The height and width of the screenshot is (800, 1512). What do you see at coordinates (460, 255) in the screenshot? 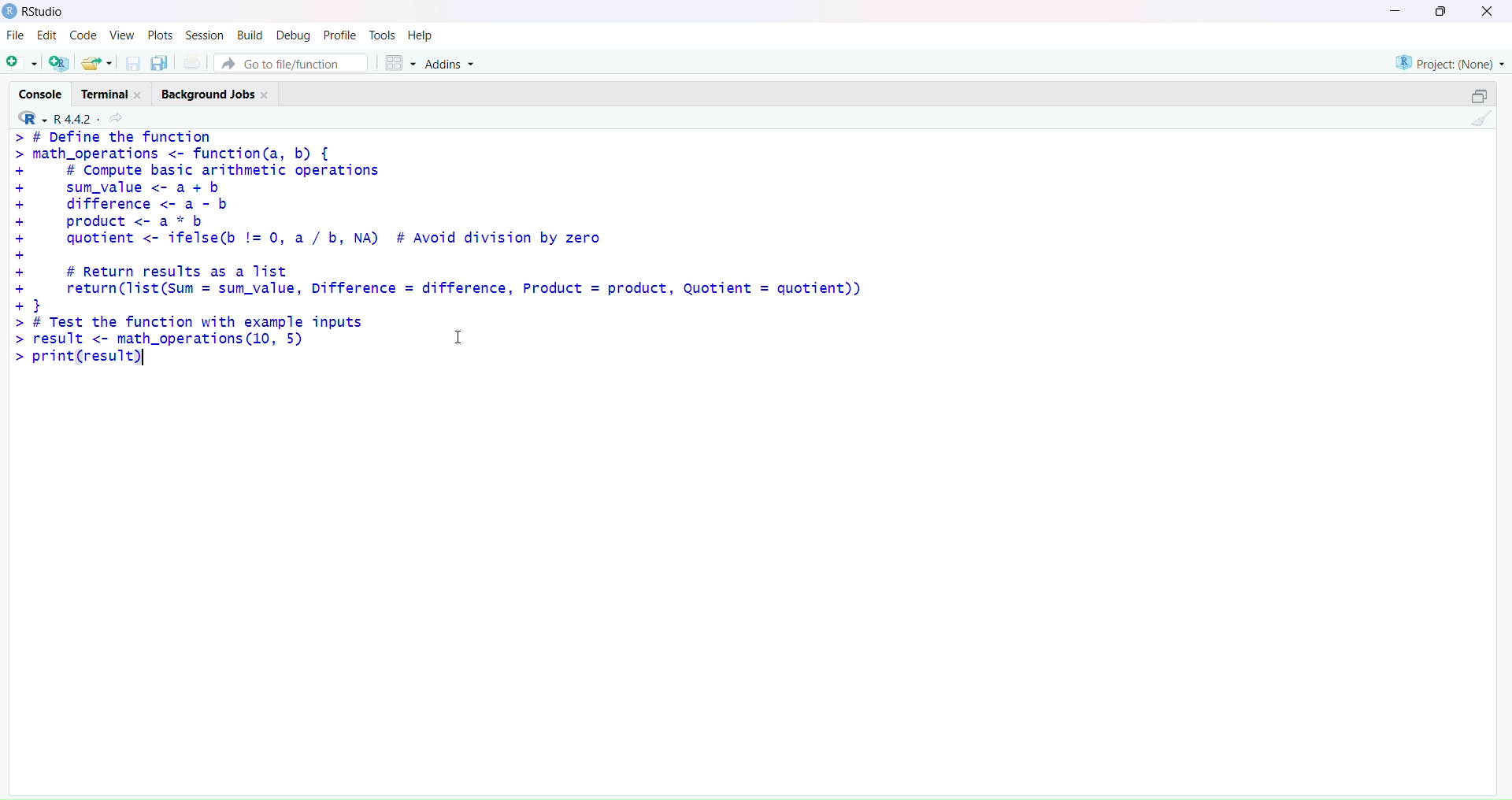
I see `> # DeTine the Tunction

> math_operations <- function(a, b) {

+ # Compute basic arithmetic operations

+ sum_value <- a + b

+ difference <- a - b

+ product <- a * b

+ quotient <- ifelse(b != 0, a / b, NA) # Avoid division by zero
+

+ # Return results as a list

+ return(1ist(Sum = sum_value, Difference = difference, Product = product, Quotient = quotient))
+3

> # Test the function with example inputs

> result <- math_operations (10, 5) I

> print(result)|` at bounding box center [460, 255].